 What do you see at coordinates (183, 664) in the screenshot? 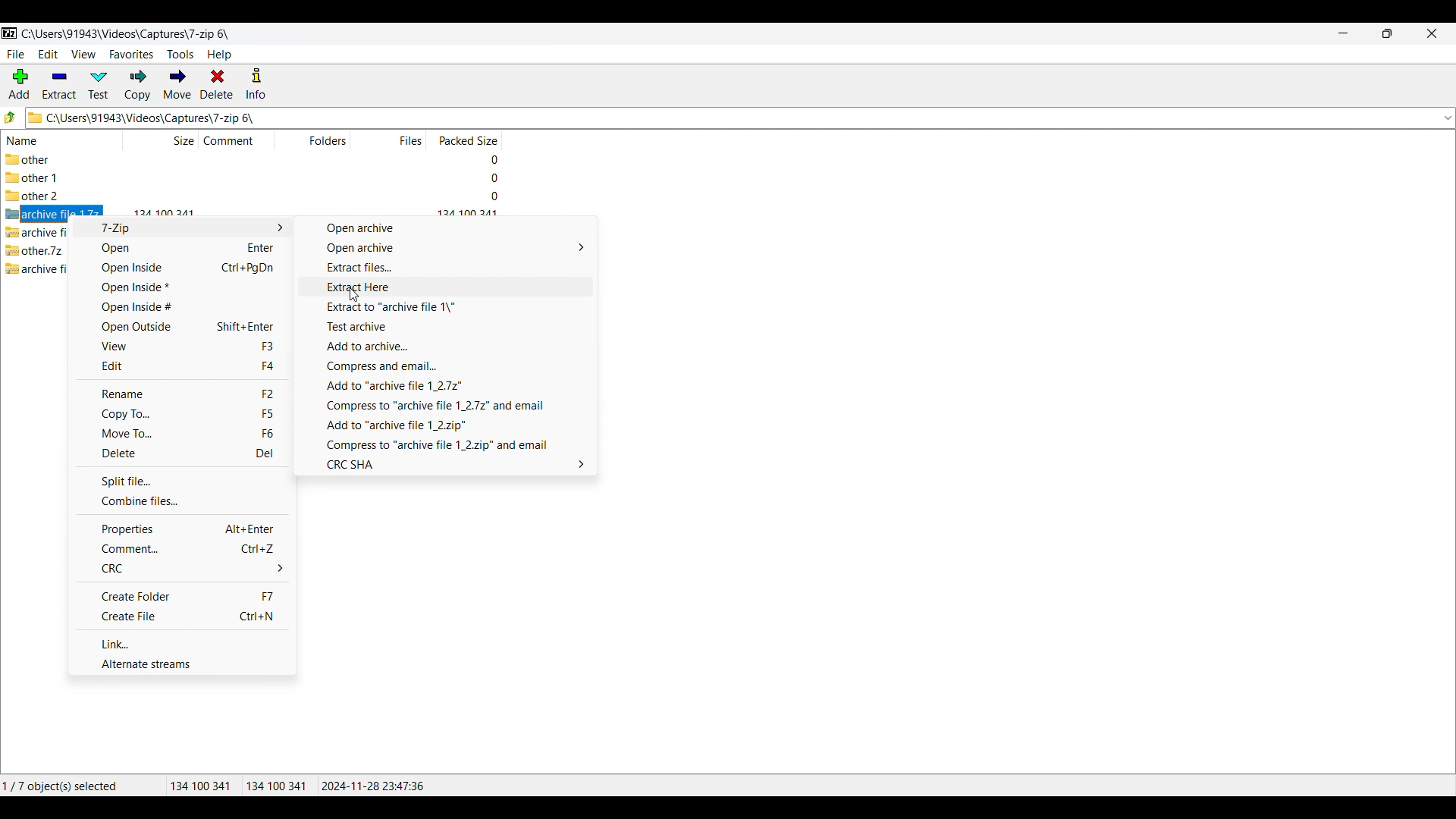
I see `Alternate streams` at bounding box center [183, 664].